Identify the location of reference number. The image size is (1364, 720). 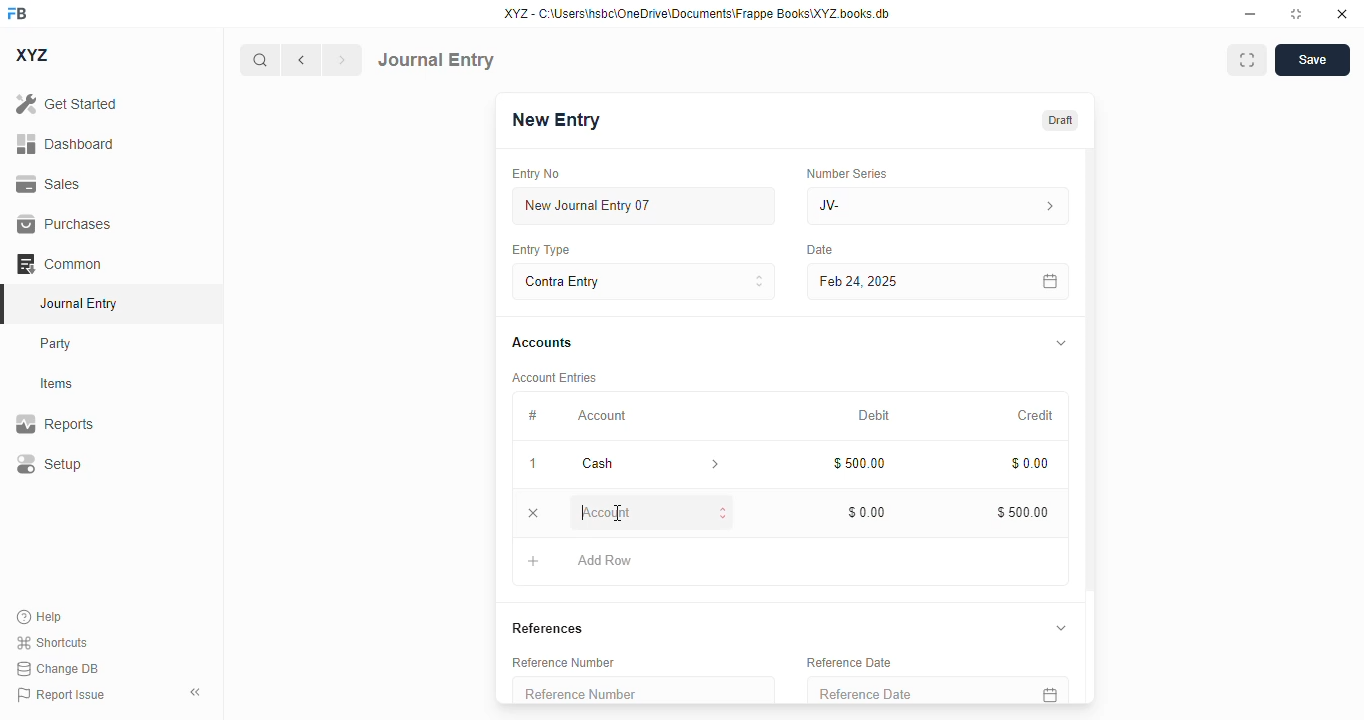
(562, 661).